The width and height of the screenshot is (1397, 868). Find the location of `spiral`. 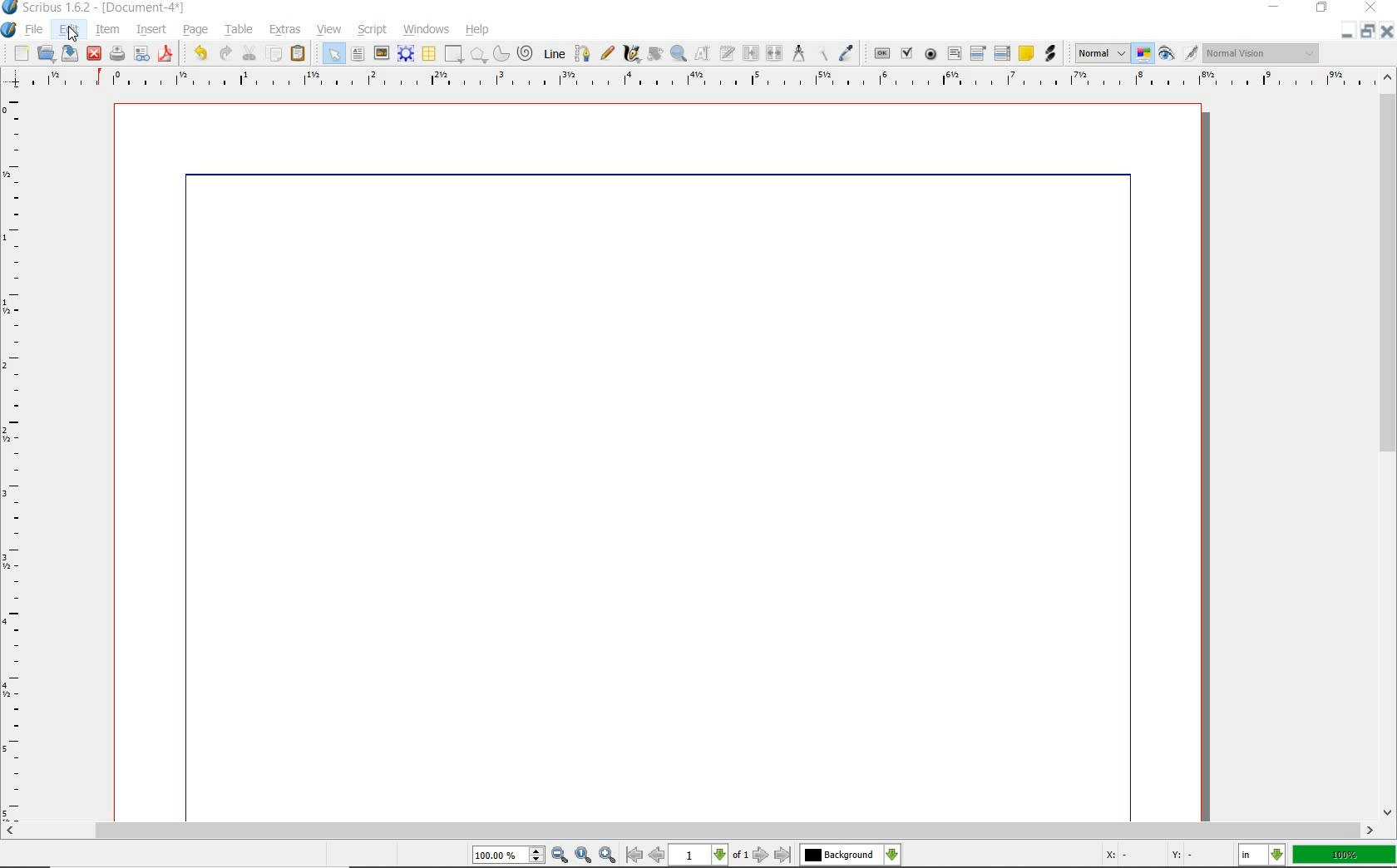

spiral is located at coordinates (526, 53).